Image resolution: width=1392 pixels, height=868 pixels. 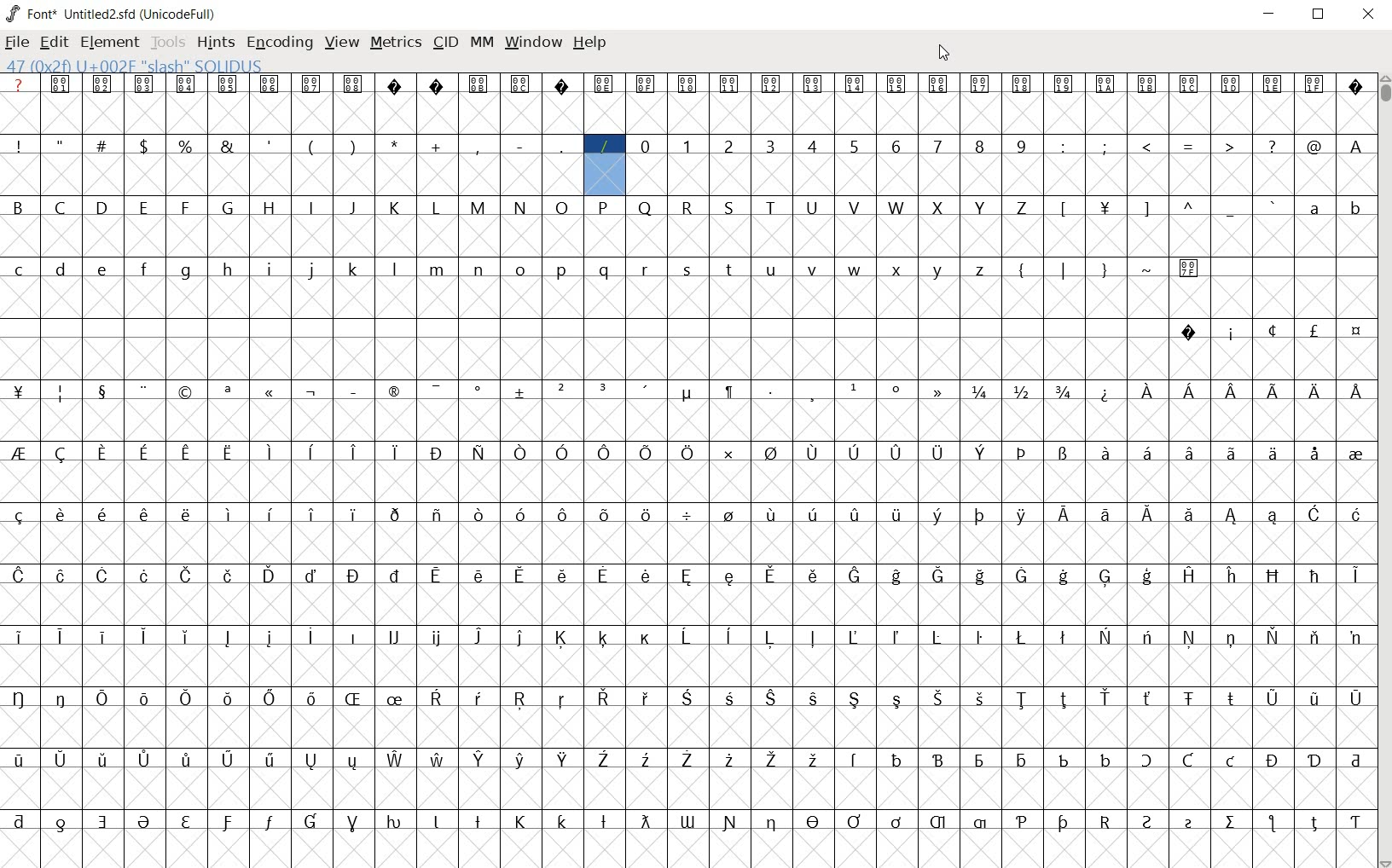 I want to click on glyph, so click(x=1314, y=147).